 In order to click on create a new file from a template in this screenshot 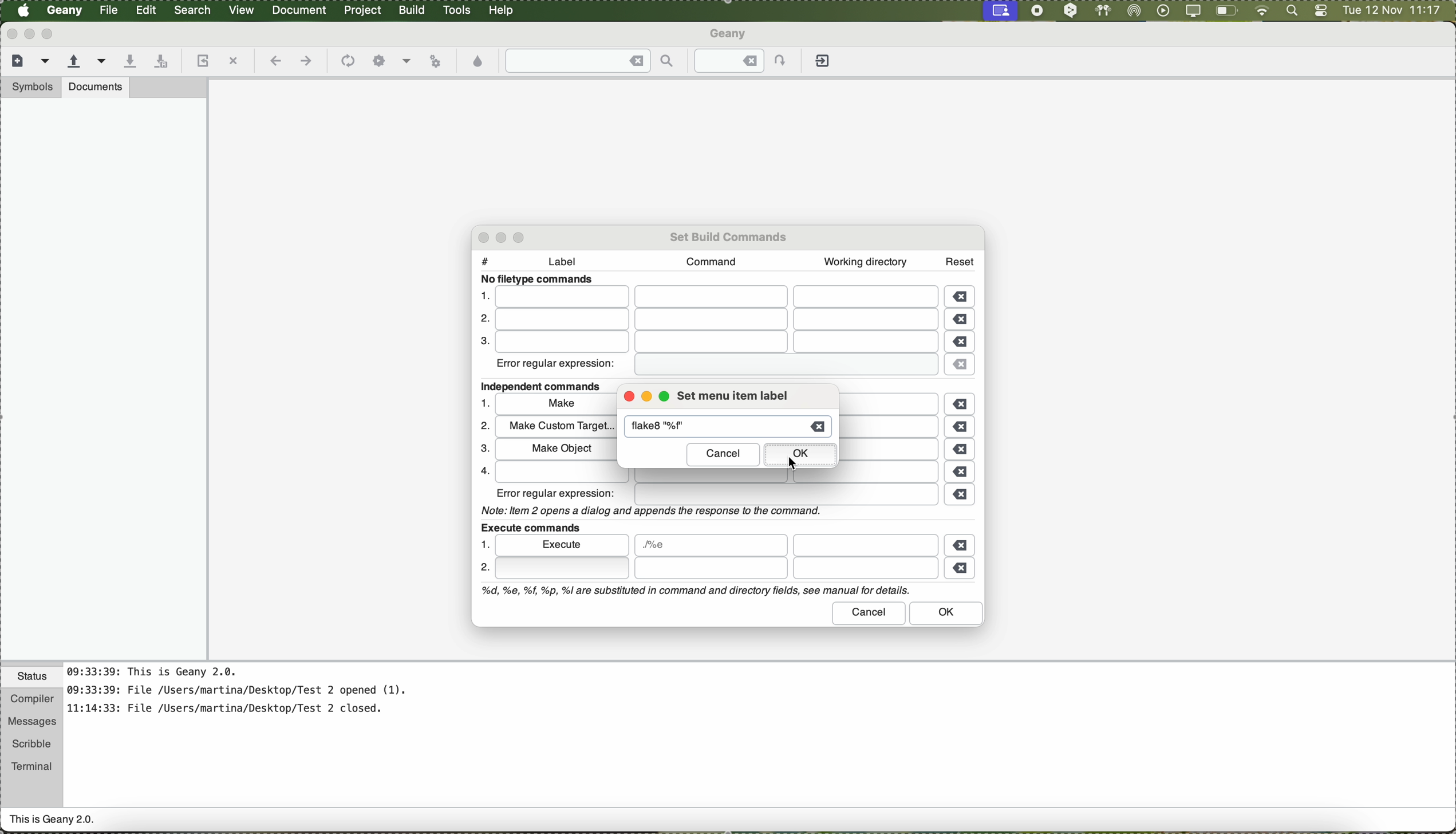, I will do `click(47, 62)`.